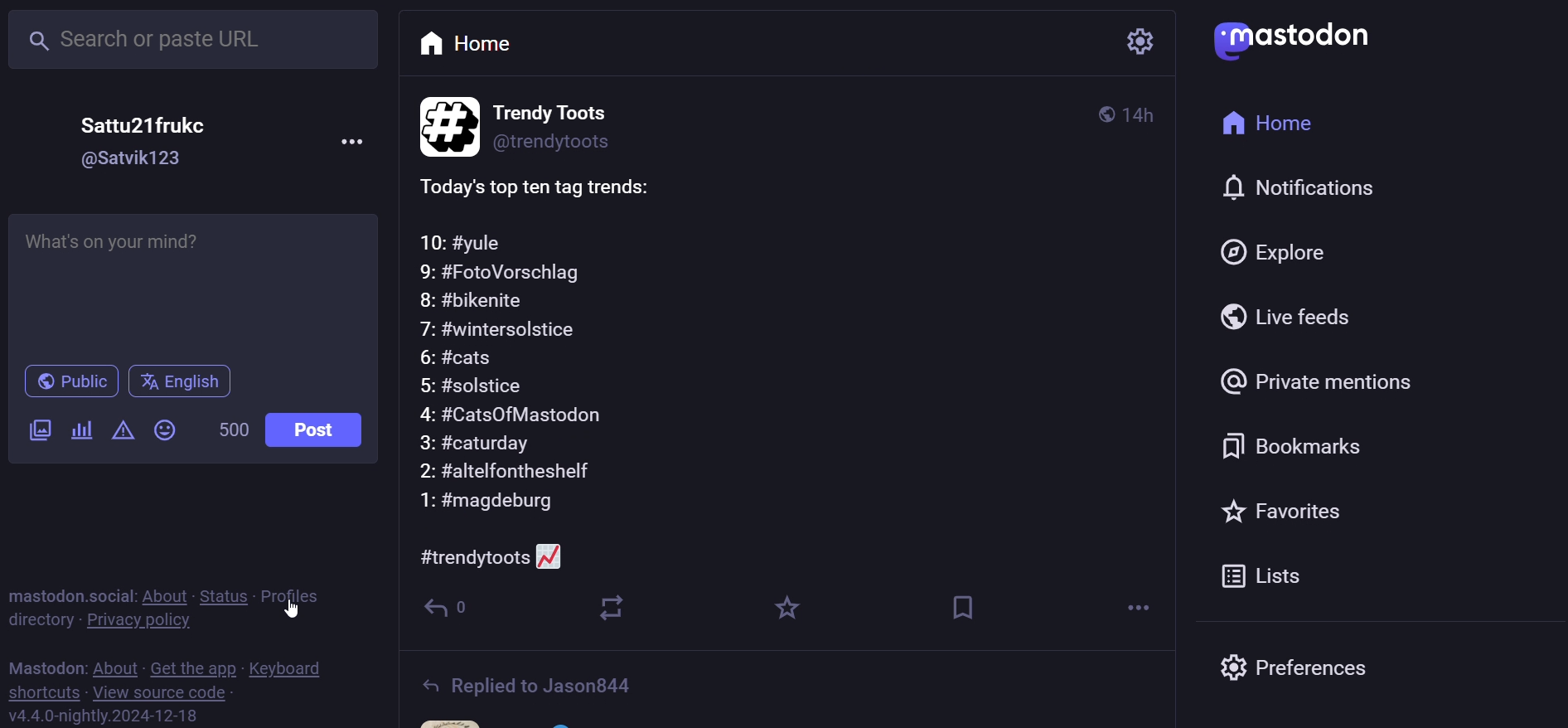  I want to click on setting, so click(1140, 39).